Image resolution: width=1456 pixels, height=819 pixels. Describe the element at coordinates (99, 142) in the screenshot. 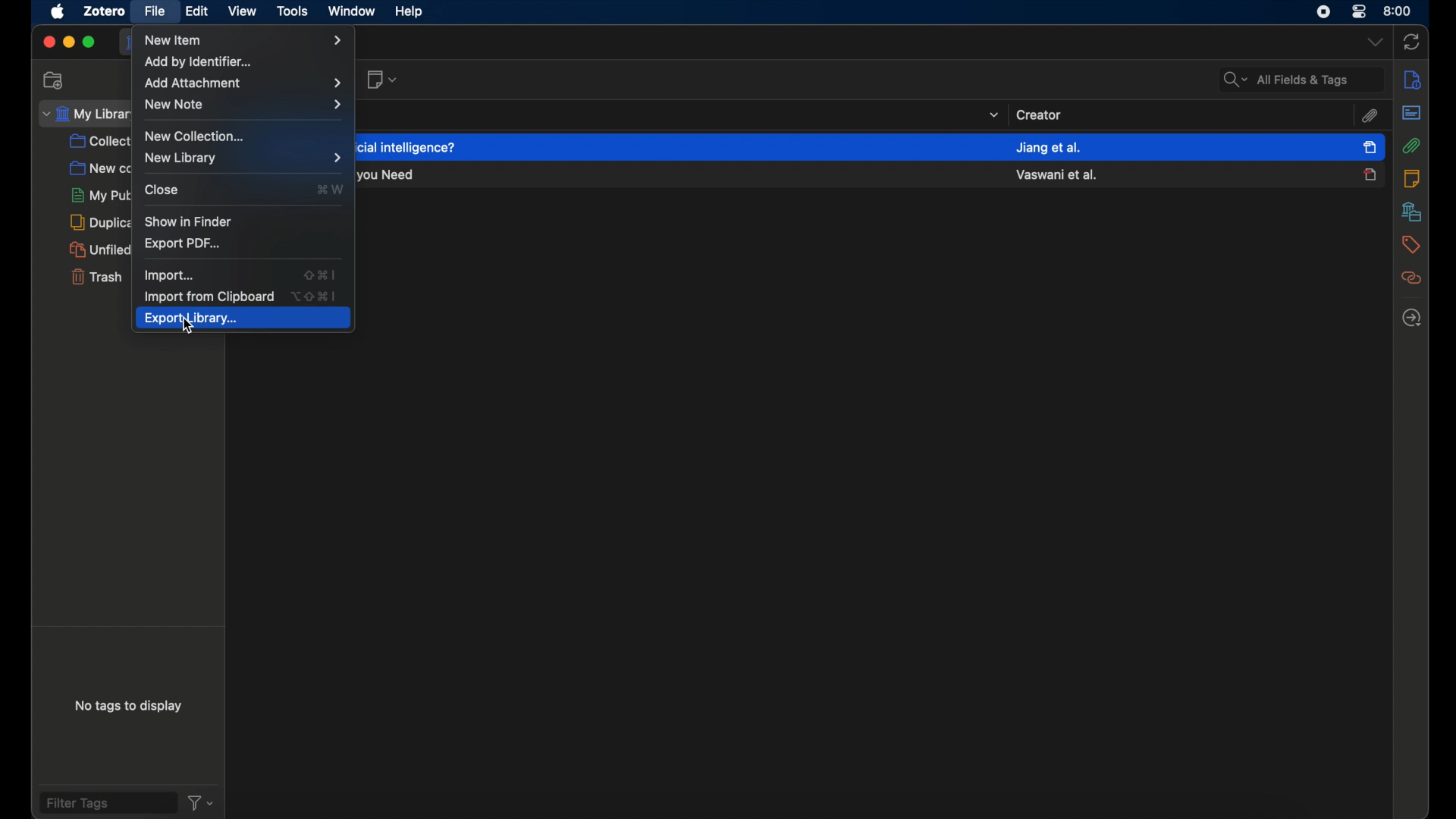

I see `collection` at that location.